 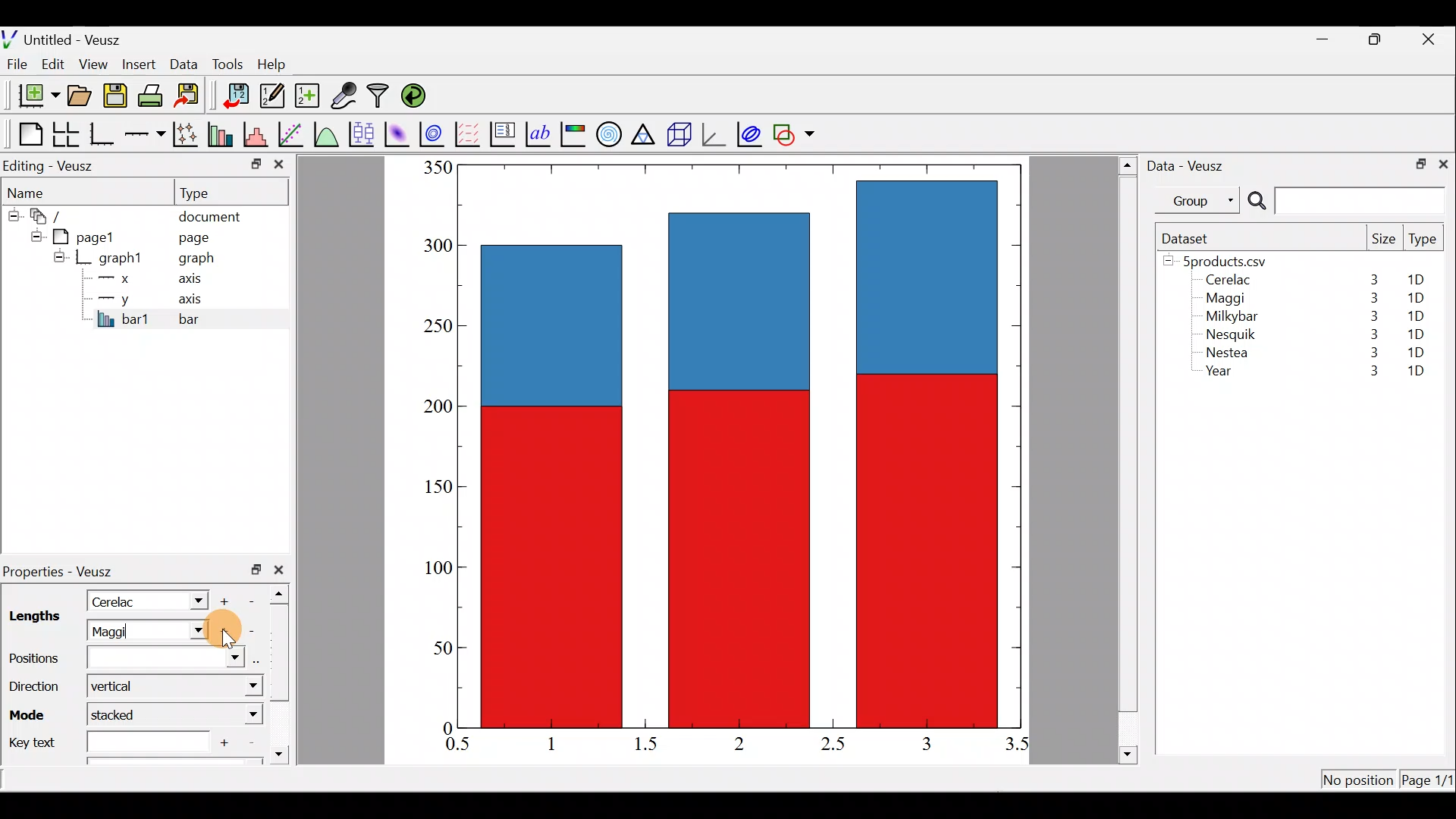 What do you see at coordinates (250, 631) in the screenshot?
I see `remove item` at bounding box center [250, 631].